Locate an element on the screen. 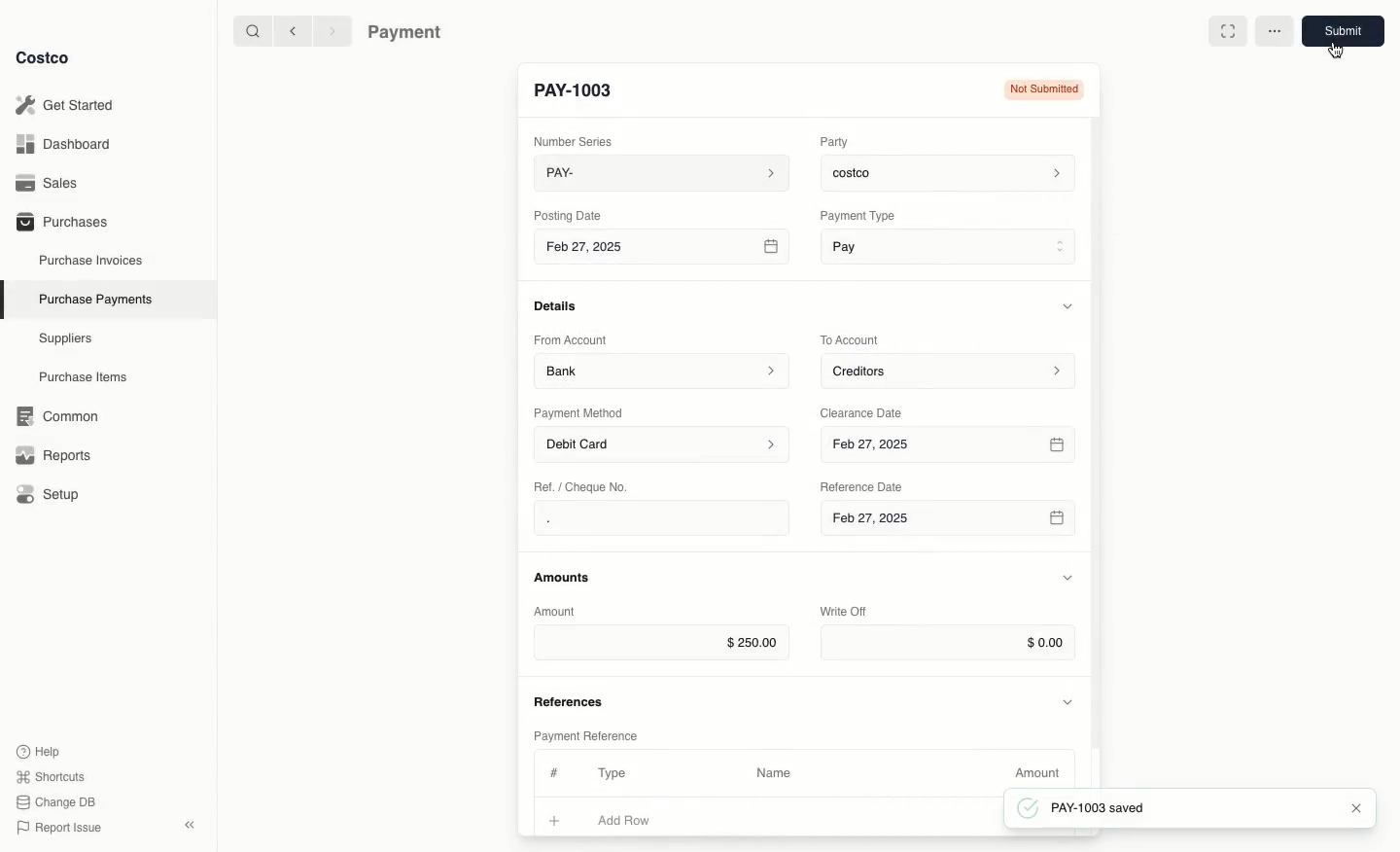 The height and width of the screenshot is (852, 1400). Payment Reference is located at coordinates (584, 733).